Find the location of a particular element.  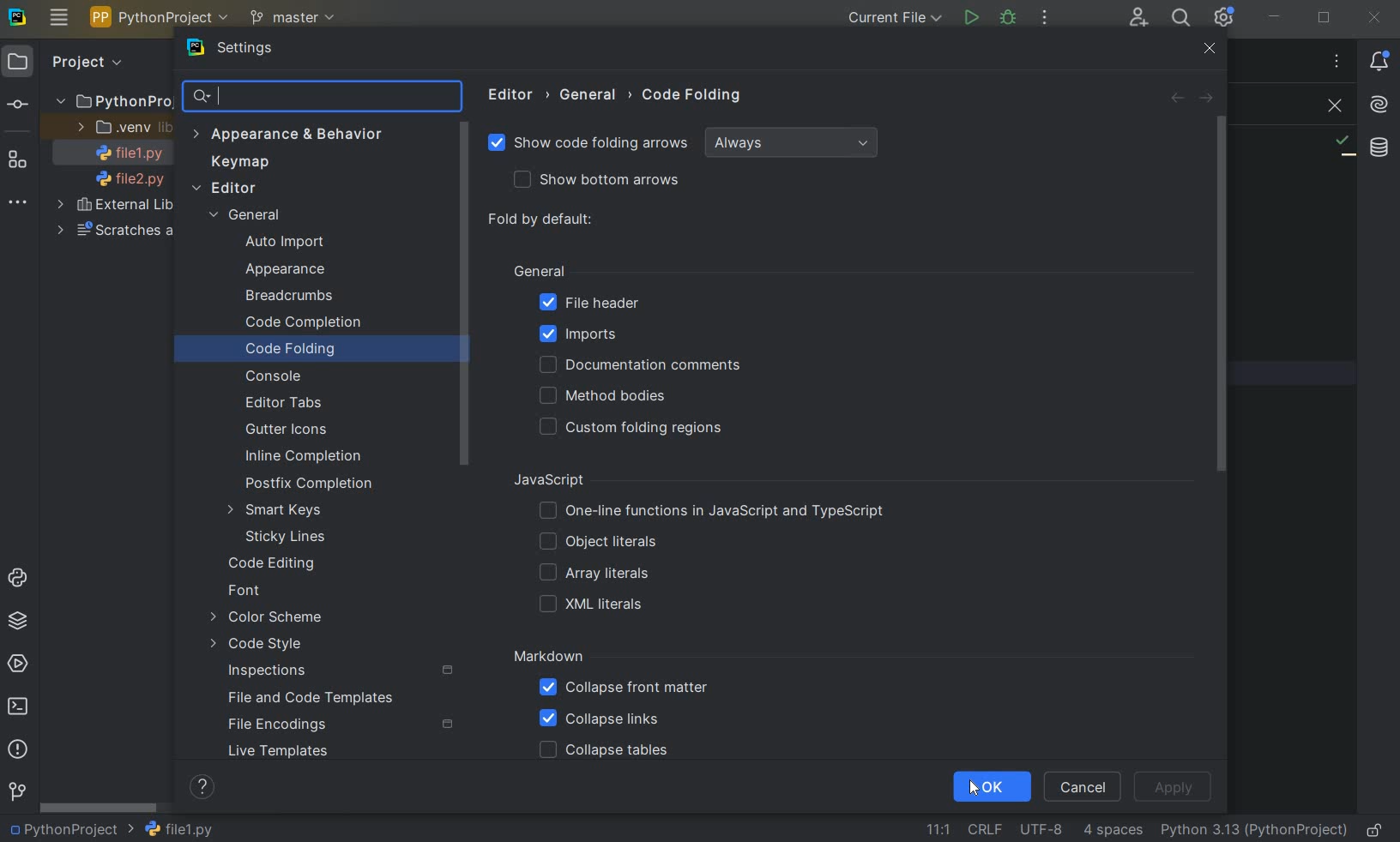

CUSTOM FOLDING REGIONS is located at coordinates (637, 428).